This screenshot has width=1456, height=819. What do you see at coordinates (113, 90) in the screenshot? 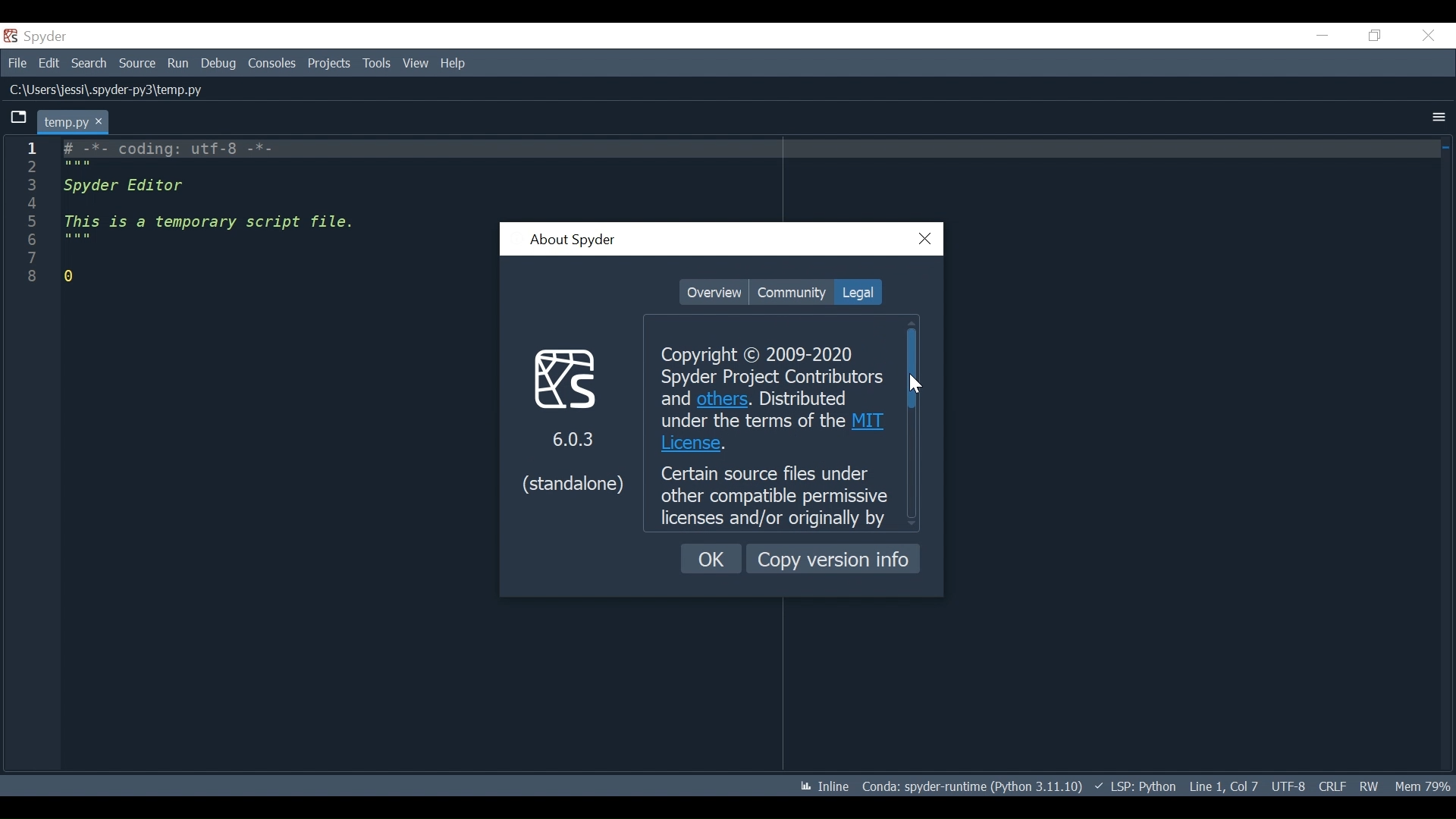
I see `C:\Users\jessi\.spyder-py3\temp.py` at bounding box center [113, 90].